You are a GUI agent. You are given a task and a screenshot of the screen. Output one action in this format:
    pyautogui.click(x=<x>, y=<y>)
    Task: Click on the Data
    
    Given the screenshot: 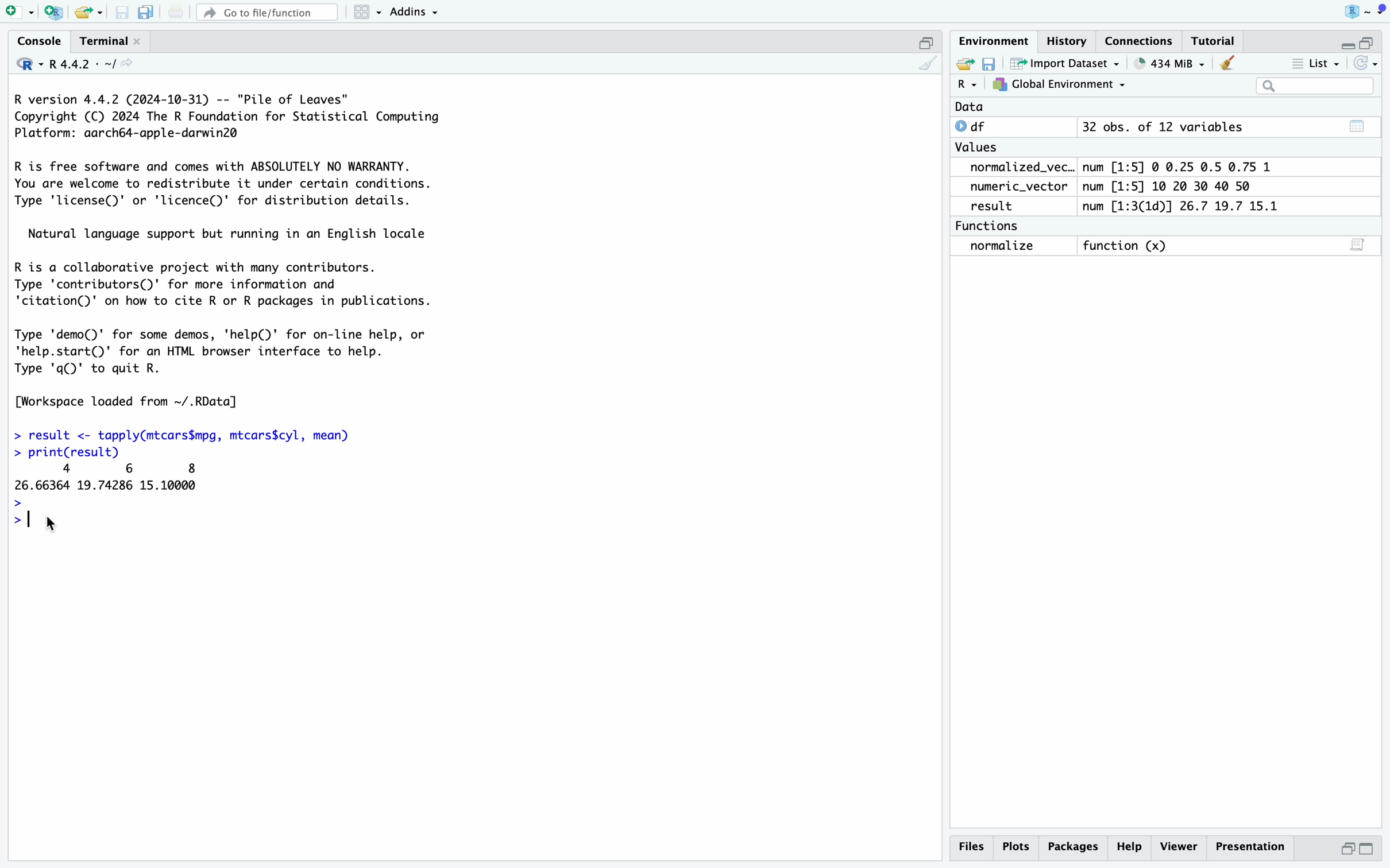 What is the action you would take?
    pyautogui.click(x=972, y=108)
    